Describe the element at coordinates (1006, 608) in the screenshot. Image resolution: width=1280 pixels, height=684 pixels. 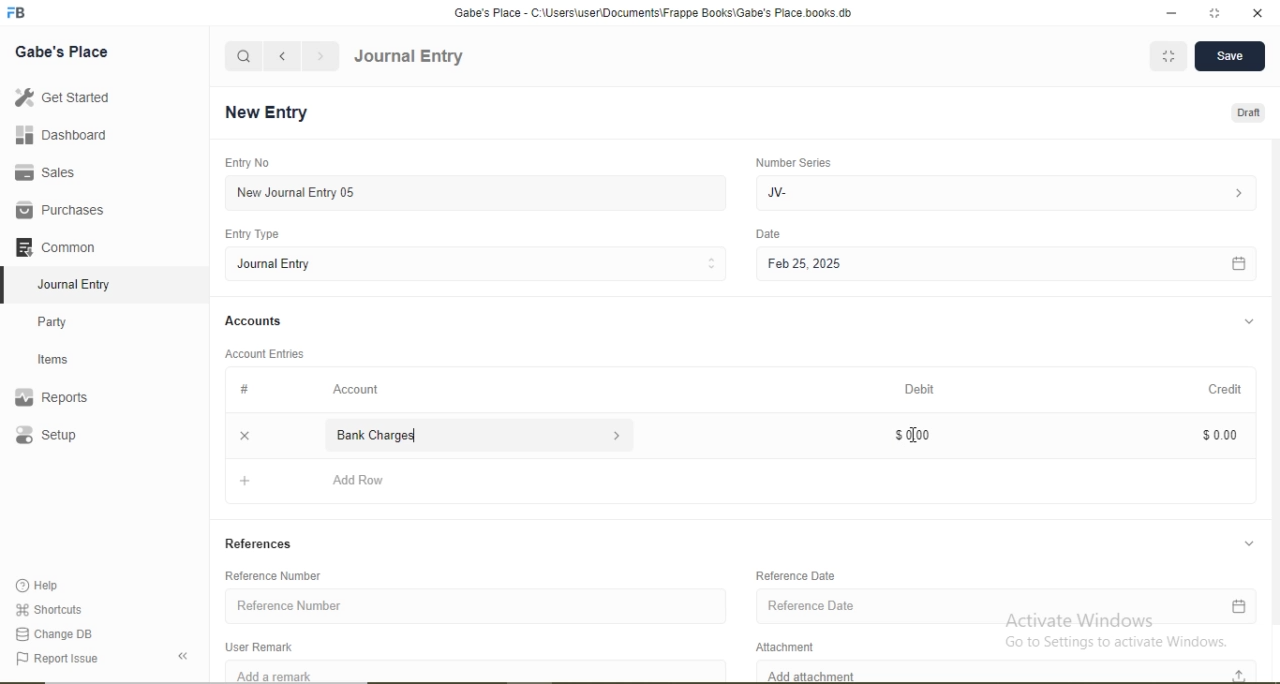
I see `Reference Date` at that location.